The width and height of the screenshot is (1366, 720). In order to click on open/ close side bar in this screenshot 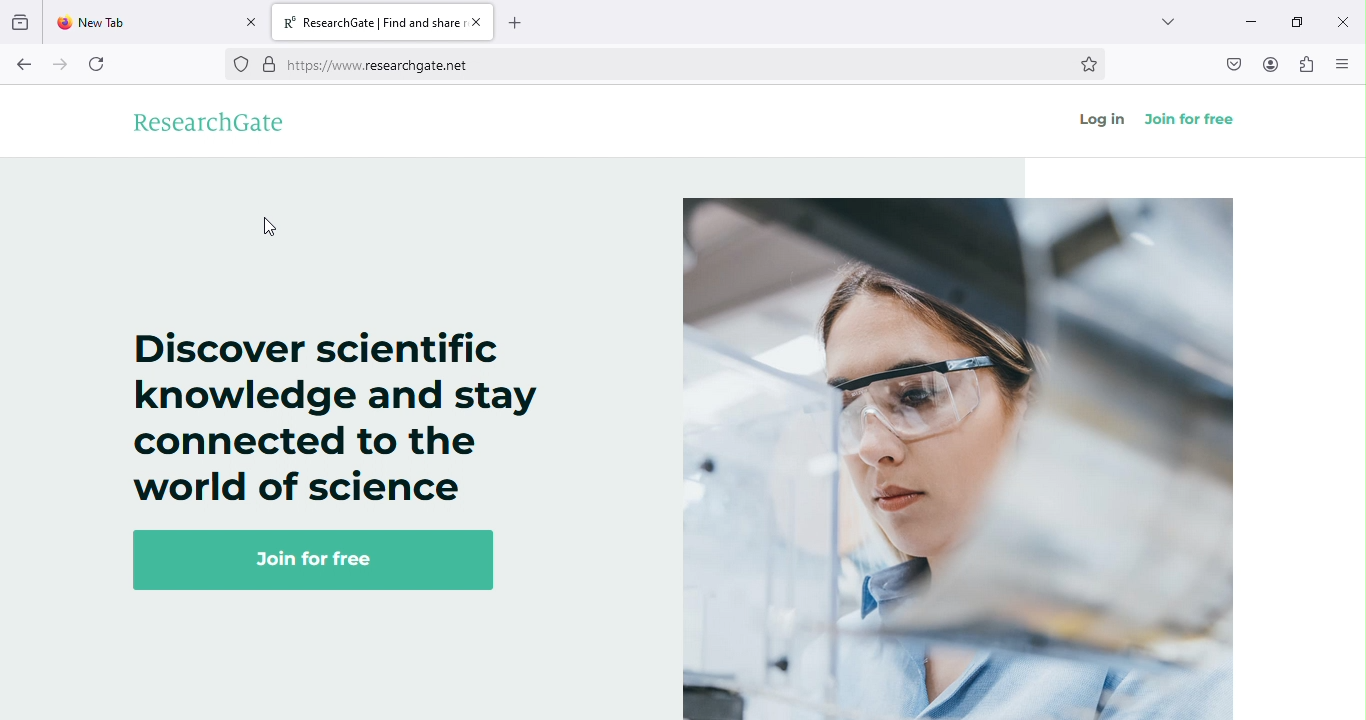, I will do `click(1348, 65)`.